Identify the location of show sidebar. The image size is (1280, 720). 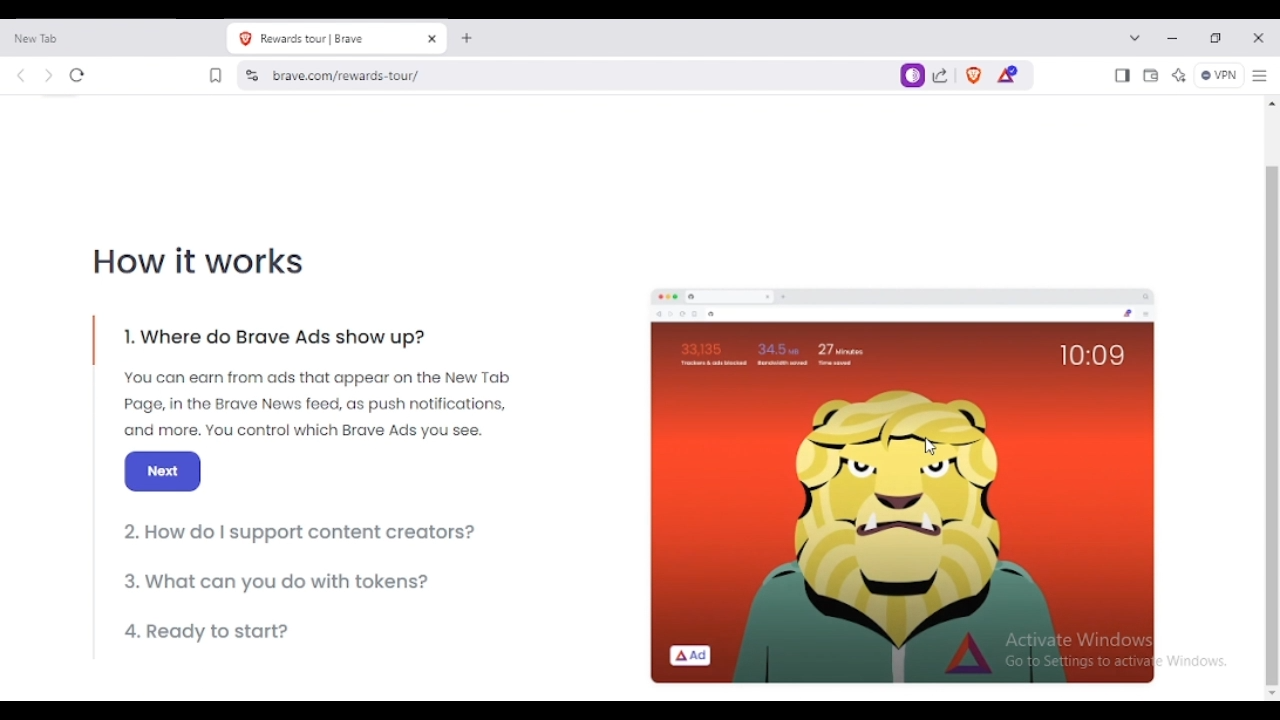
(1122, 76).